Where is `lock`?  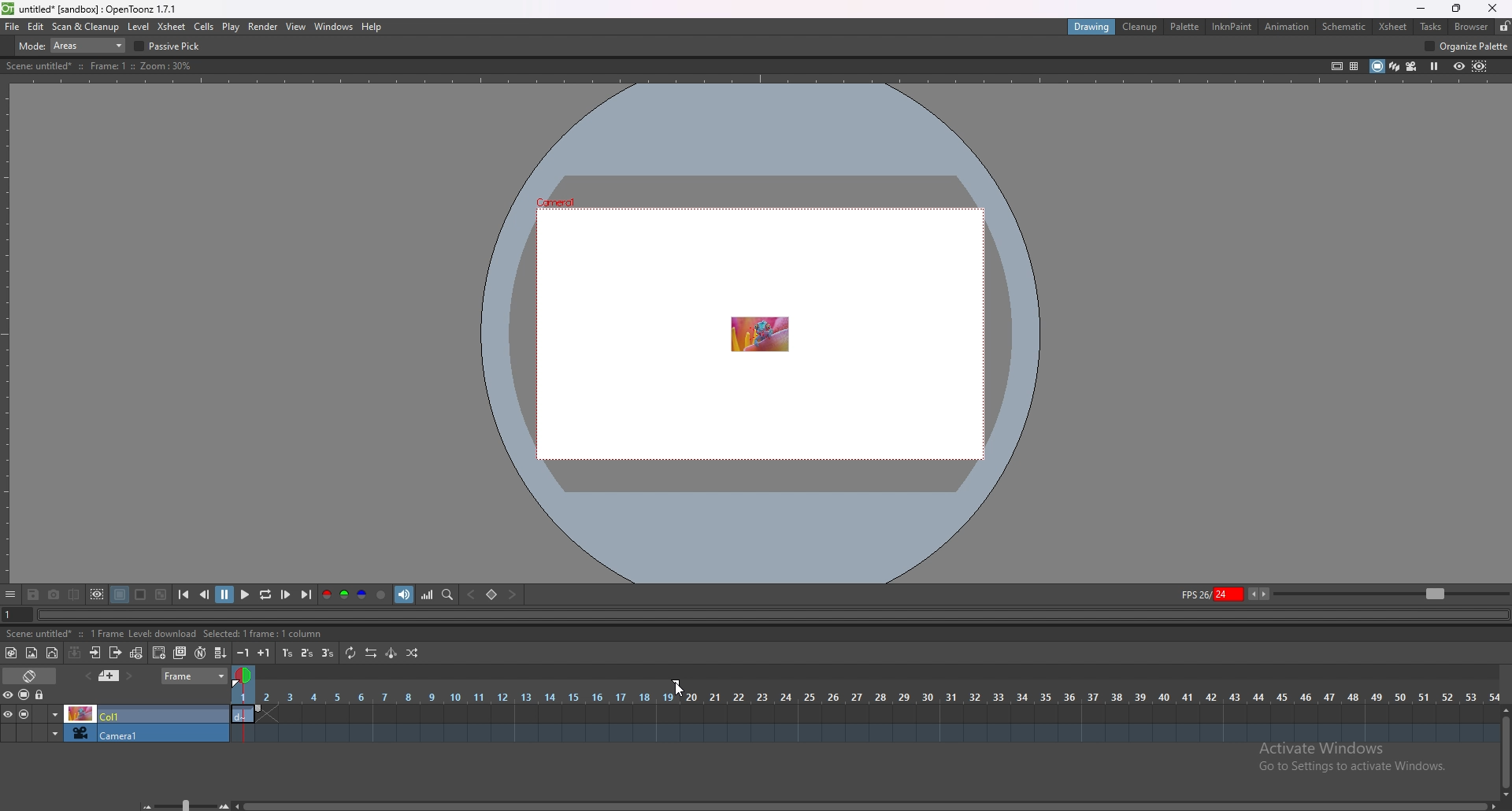 lock is located at coordinates (1504, 26).